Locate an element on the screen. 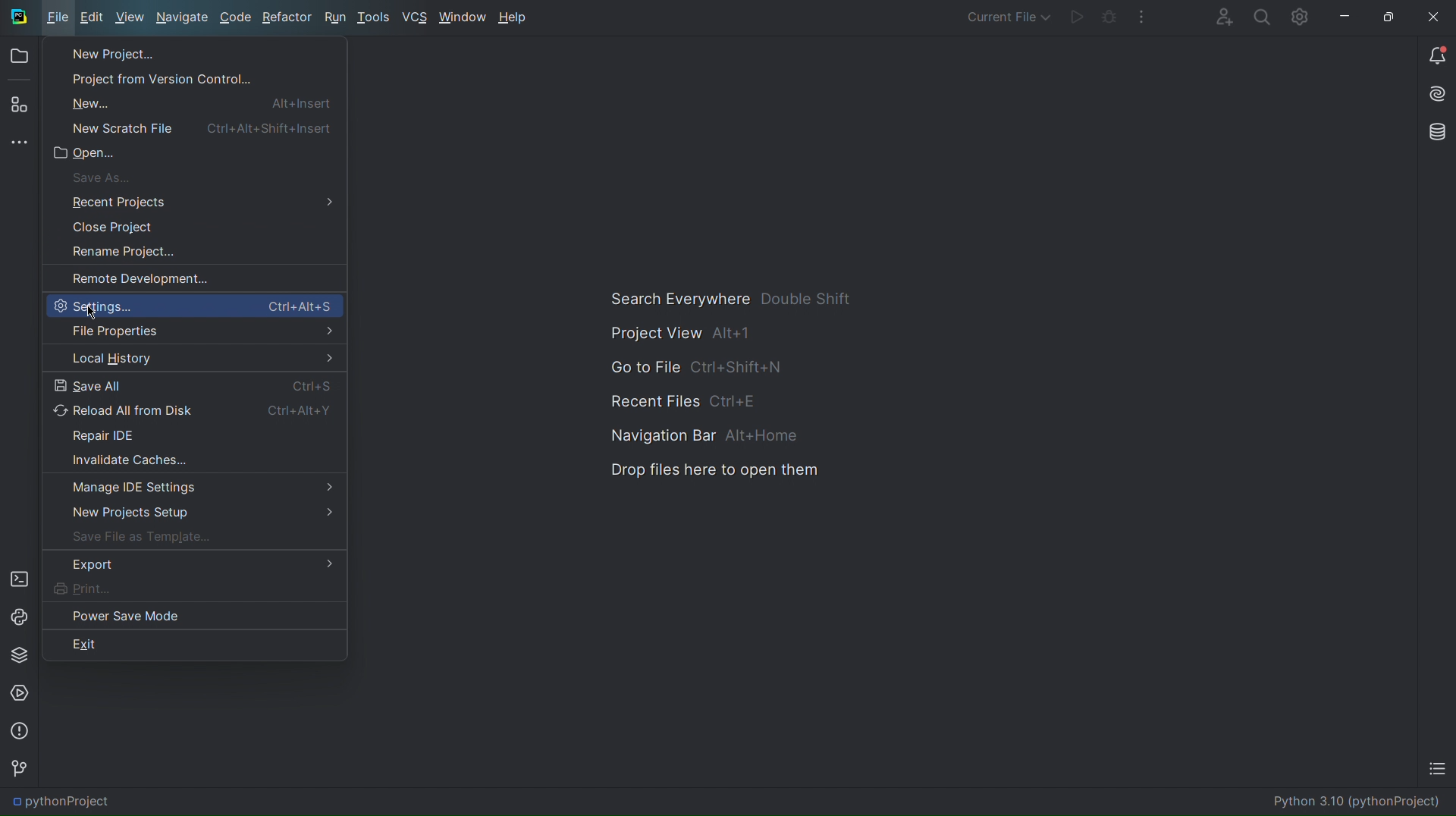  Python 3.10 (pythonProject) is located at coordinates (1355, 802).